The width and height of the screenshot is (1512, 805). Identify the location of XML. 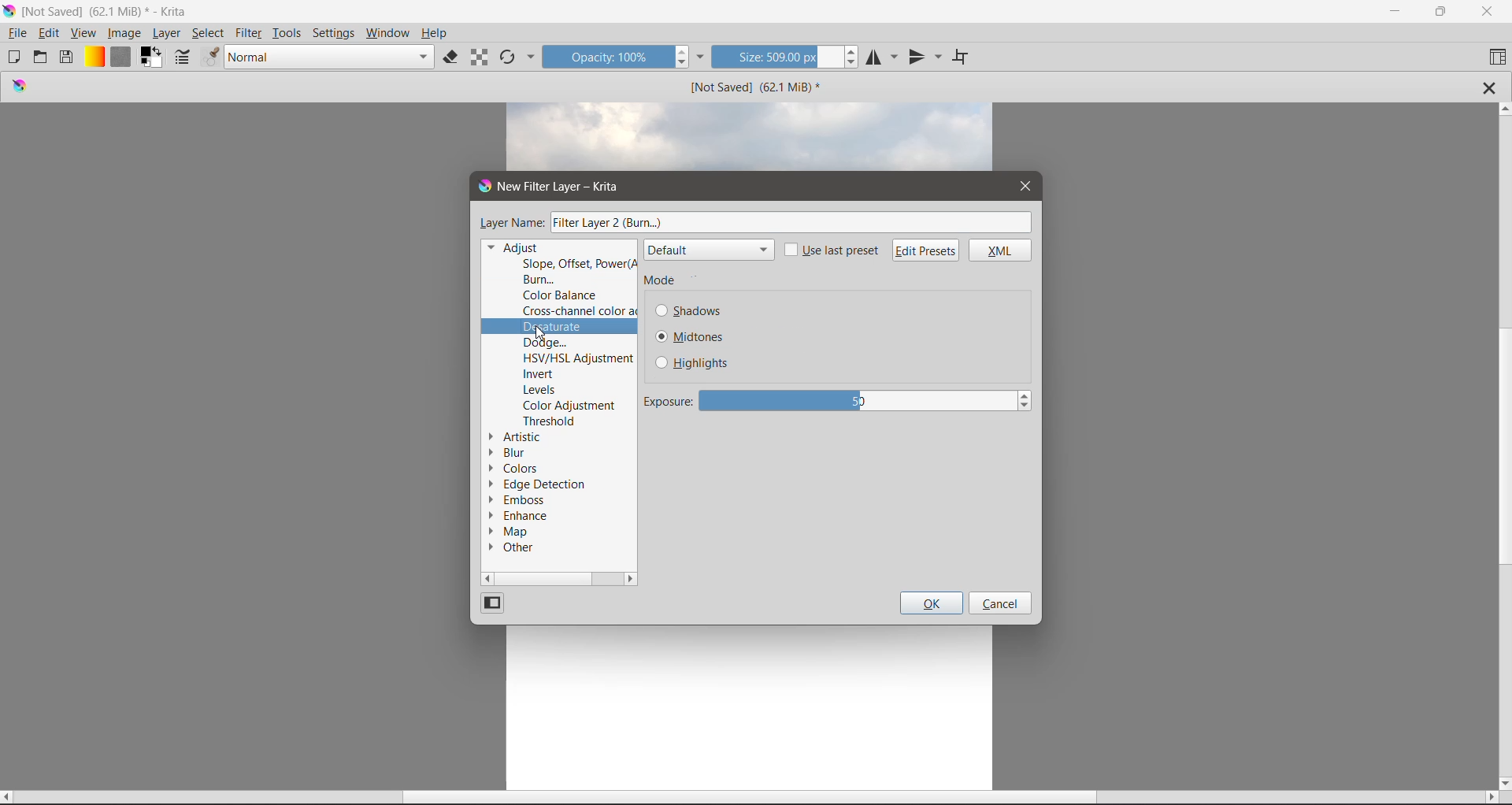
(1000, 250).